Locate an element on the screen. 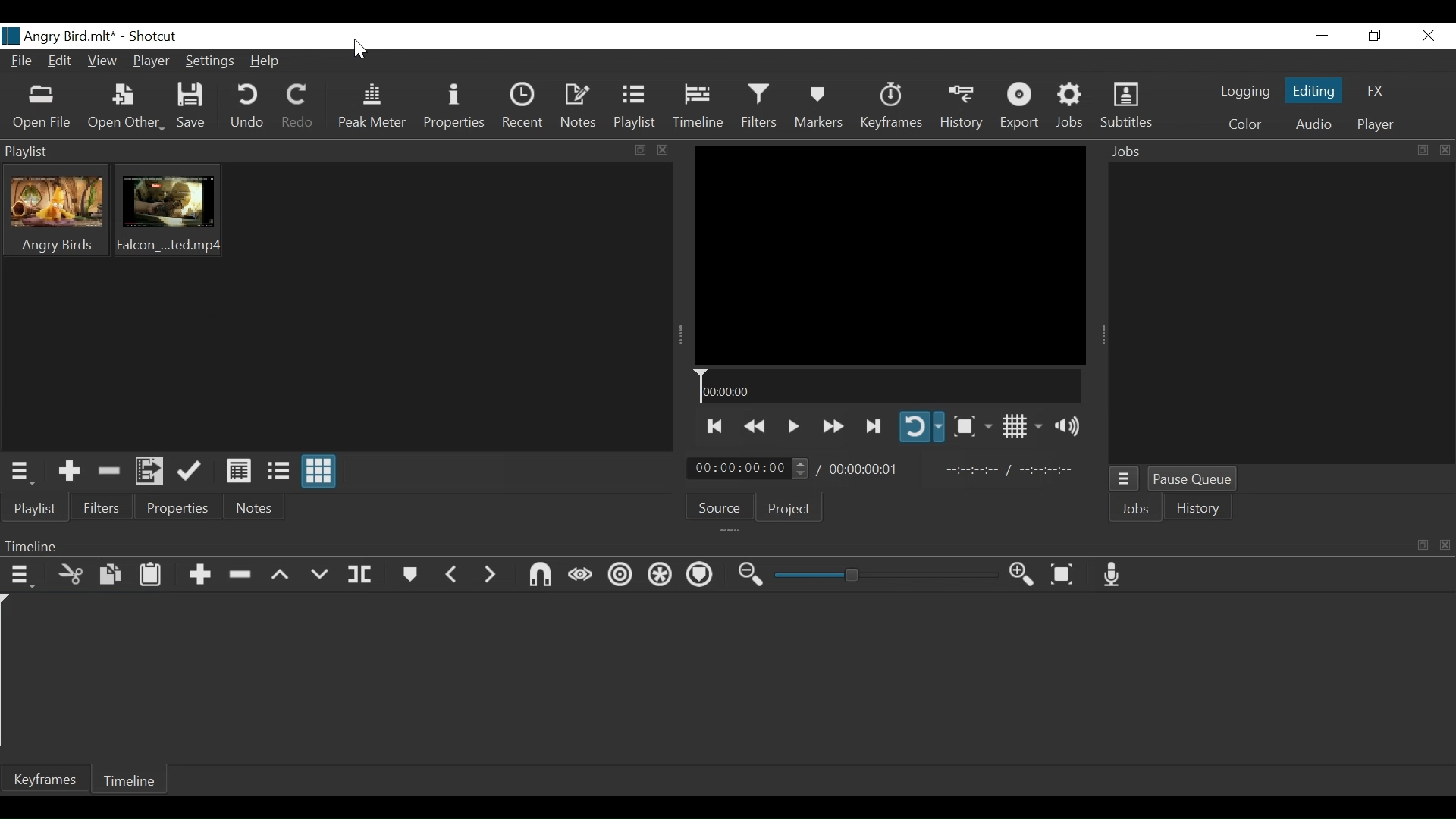  Filters is located at coordinates (104, 509).